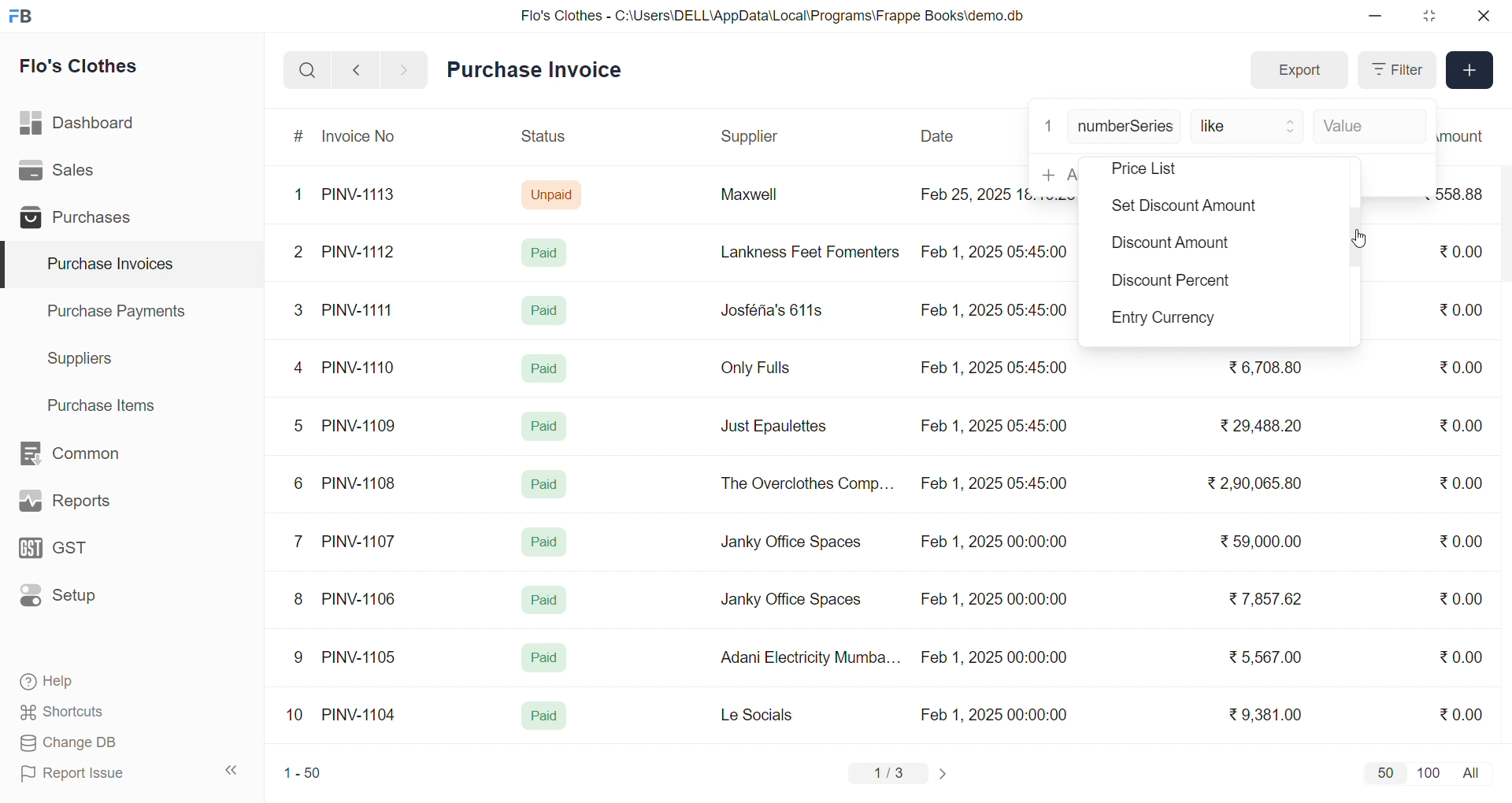 This screenshot has width=1512, height=803. What do you see at coordinates (299, 657) in the screenshot?
I see `9` at bounding box center [299, 657].